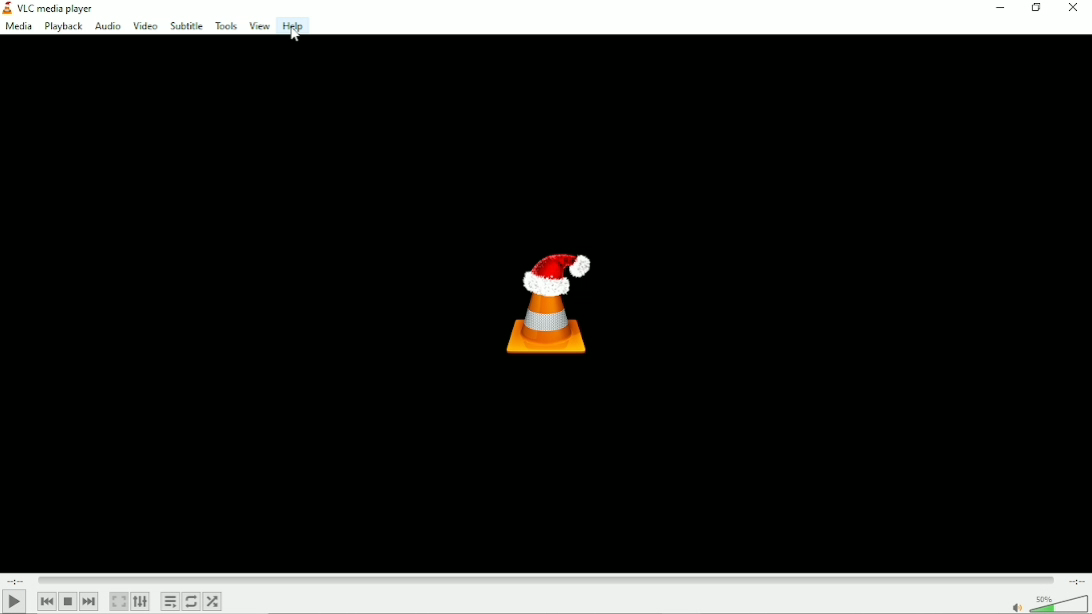  I want to click on mute, so click(1016, 607).